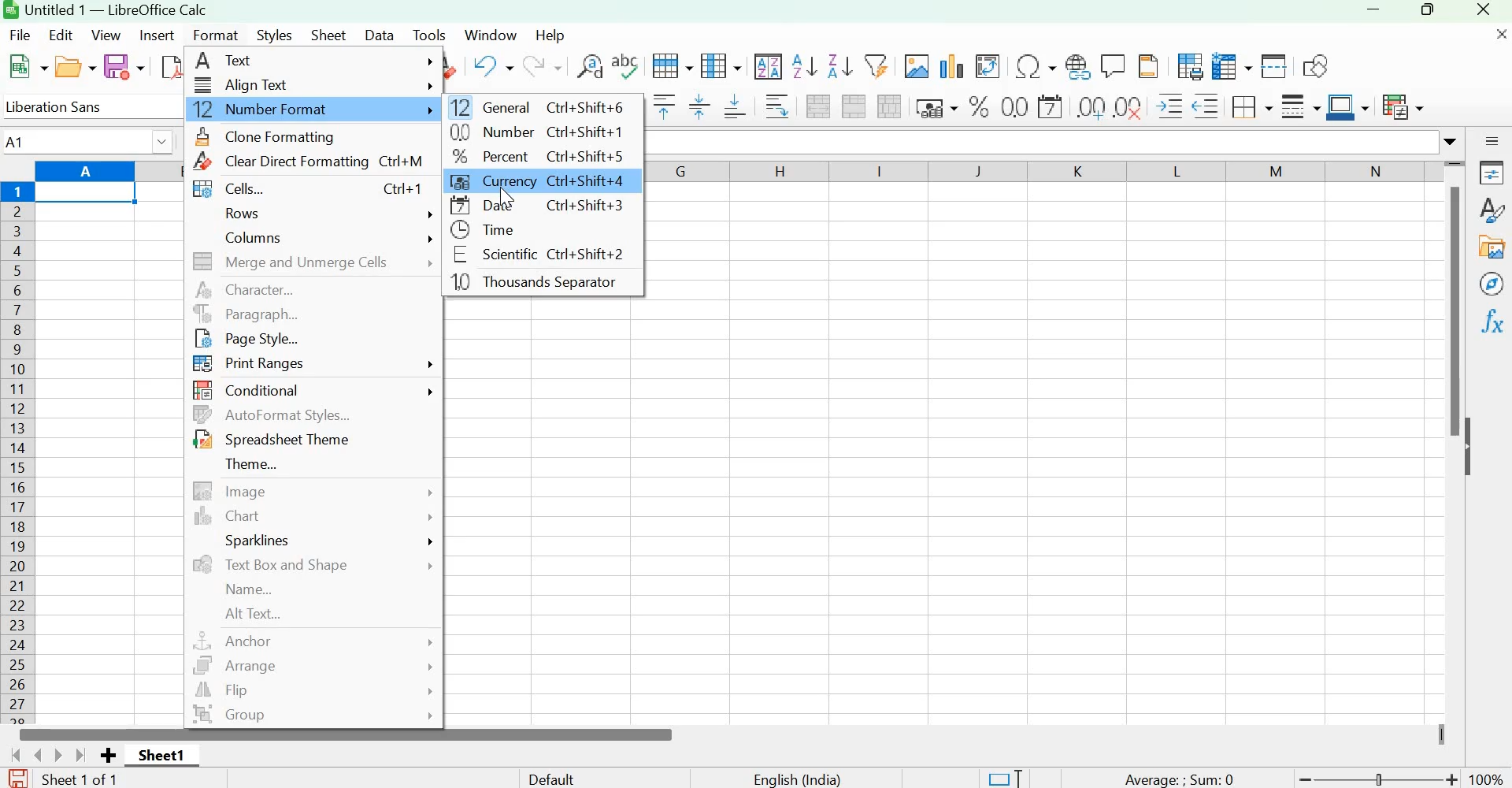  What do you see at coordinates (309, 666) in the screenshot?
I see `Arrange` at bounding box center [309, 666].